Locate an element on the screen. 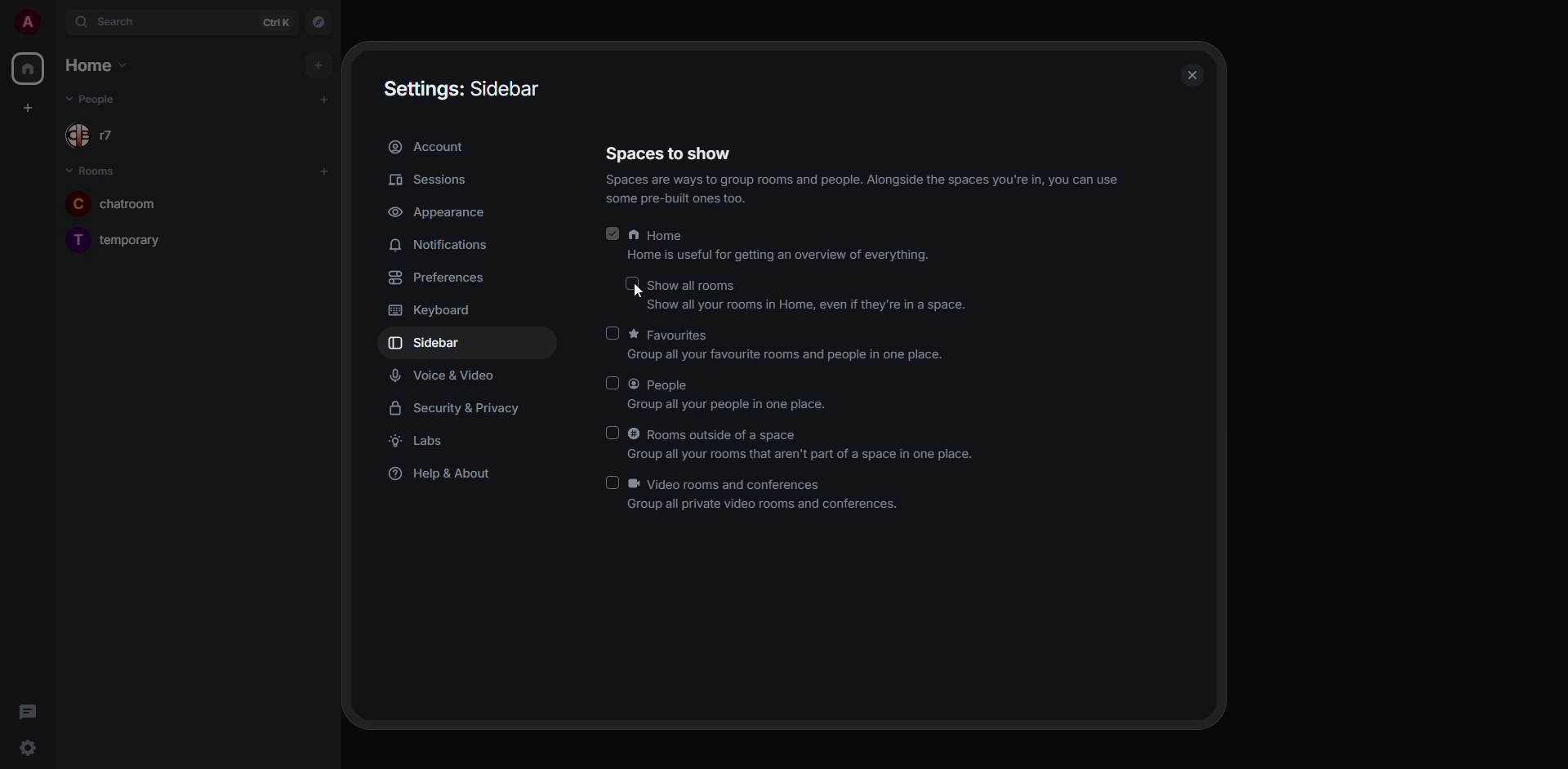  security & privacy is located at coordinates (457, 409).